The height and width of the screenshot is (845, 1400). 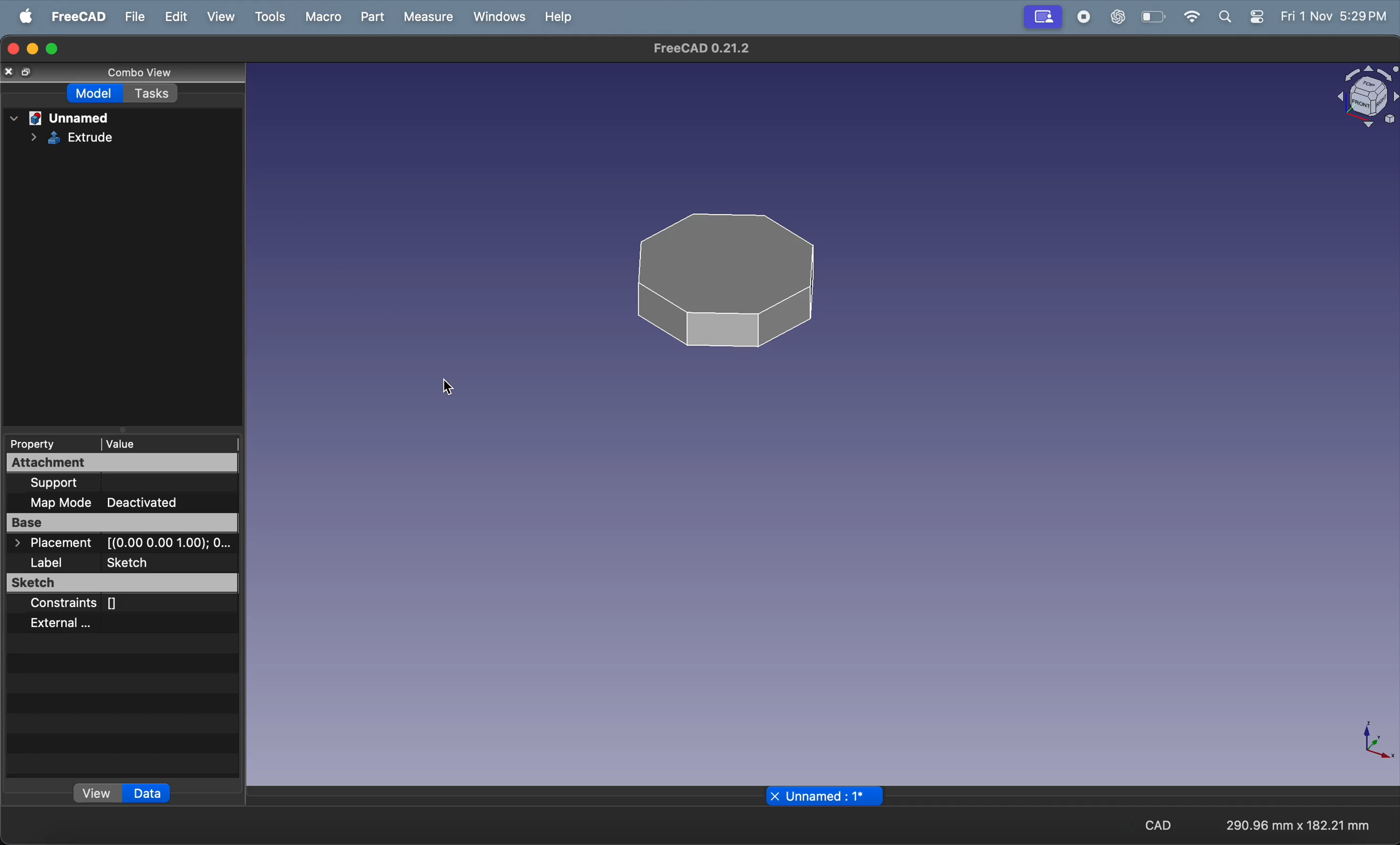 What do you see at coordinates (86, 792) in the screenshot?
I see `view` at bounding box center [86, 792].